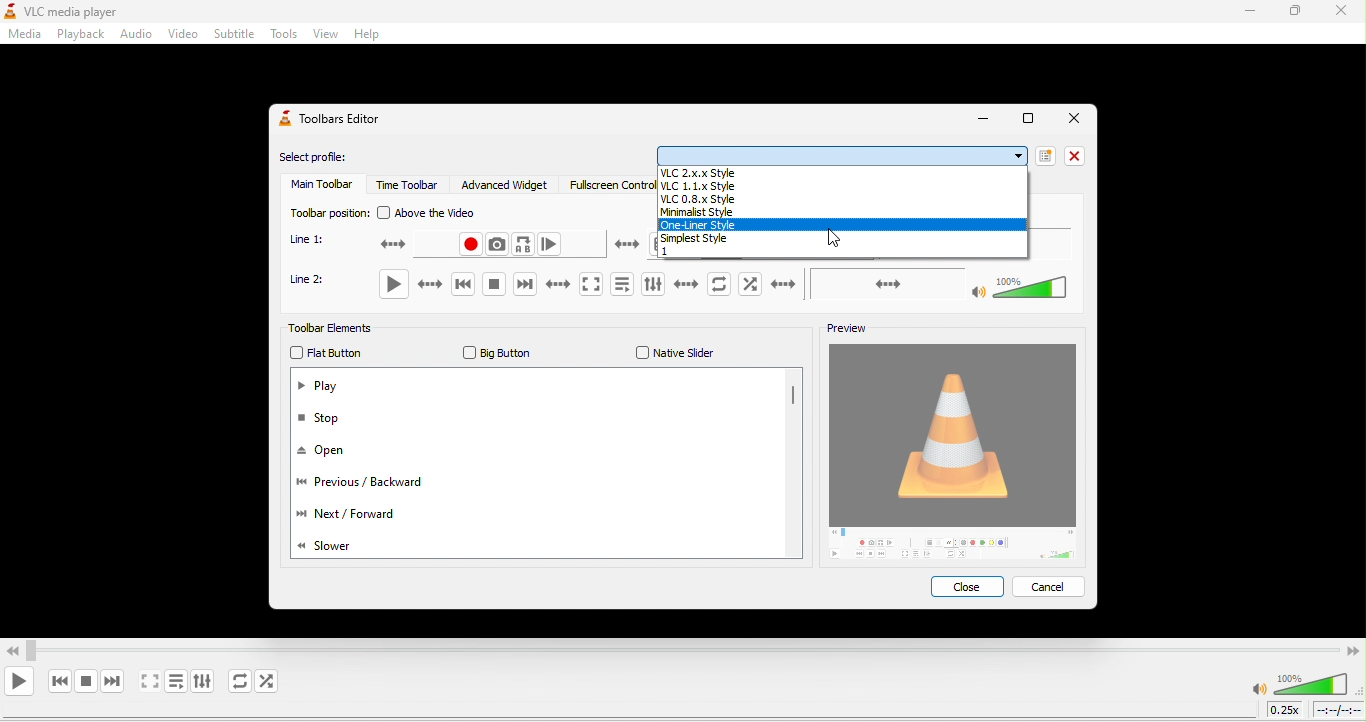  I want to click on vlc player media, so click(96, 10).